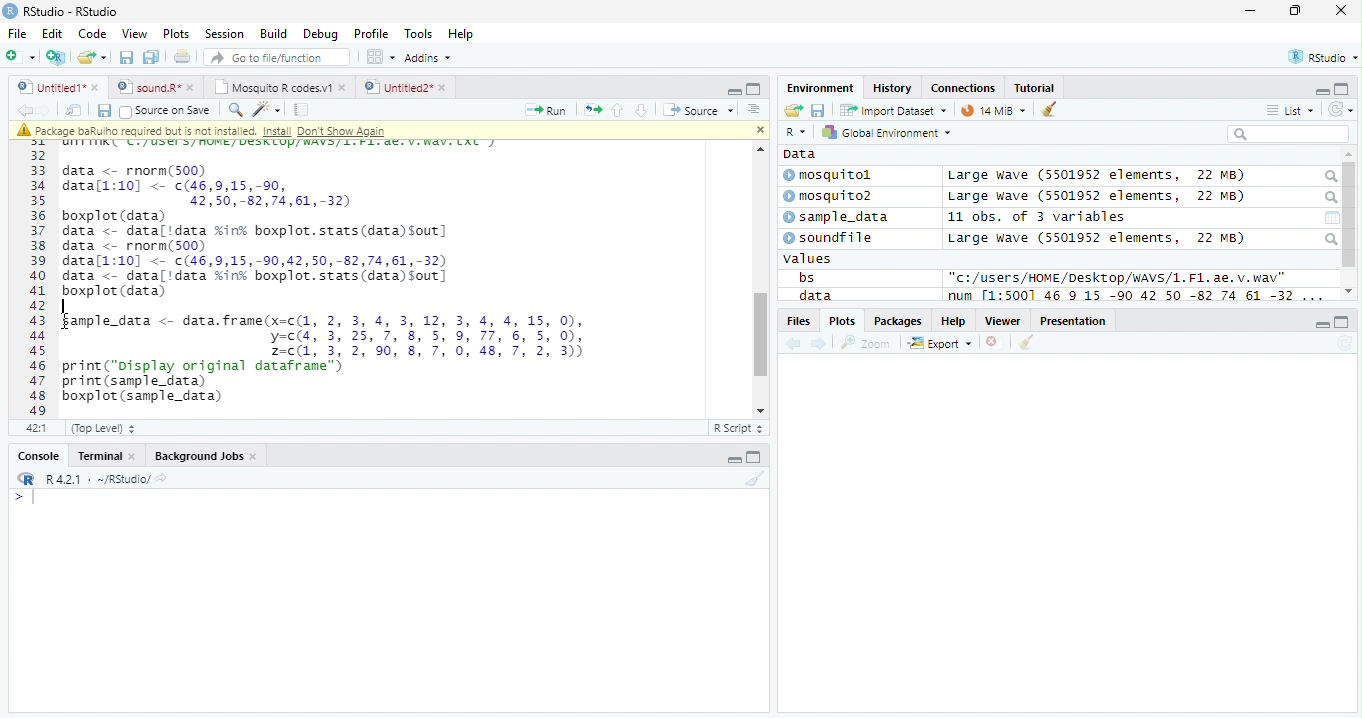 This screenshot has width=1362, height=718. Describe the element at coordinates (1100, 197) in the screenshot. I see `Large wave (5501952 elements, 22 MB)` at that location.